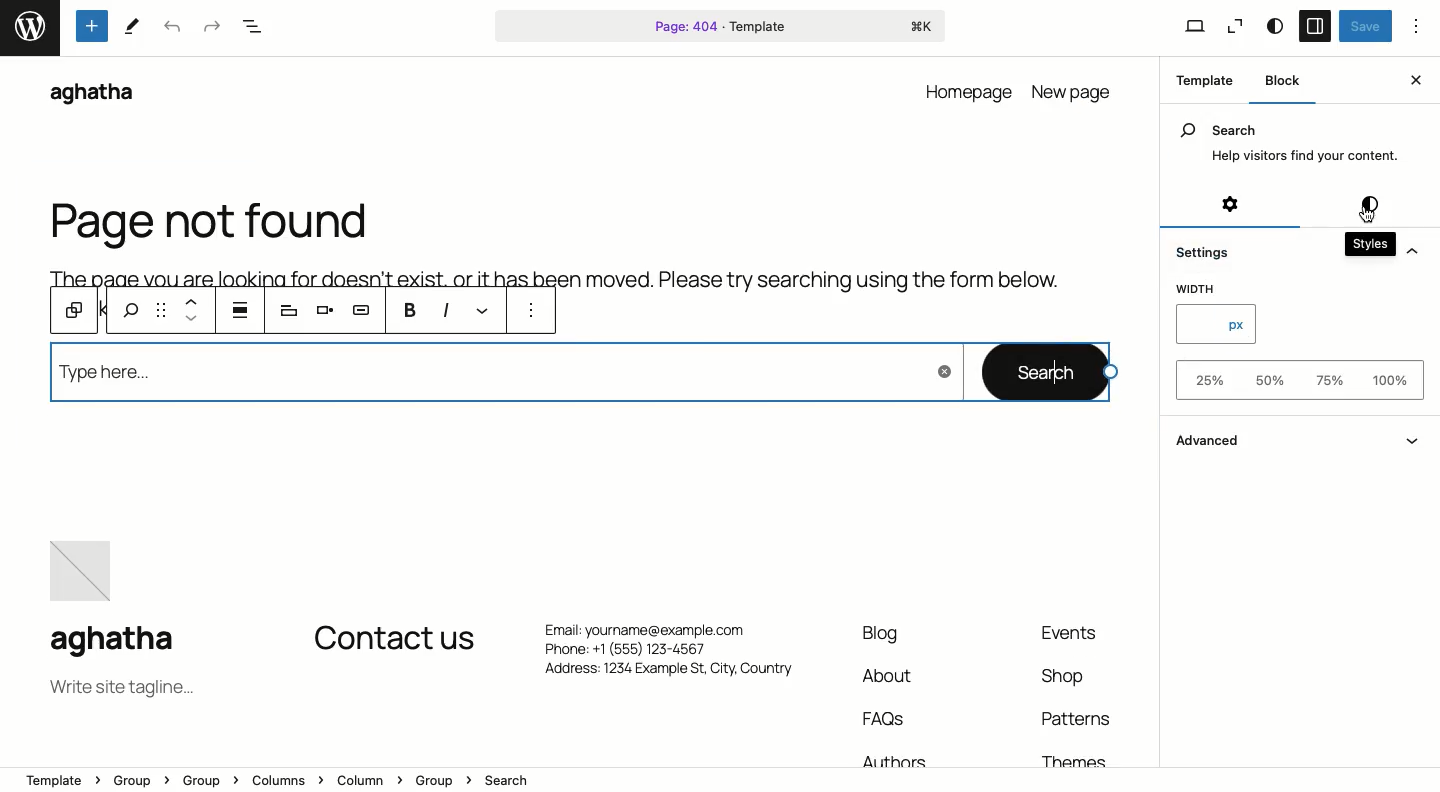  I want to click on search, so click(130, 312).